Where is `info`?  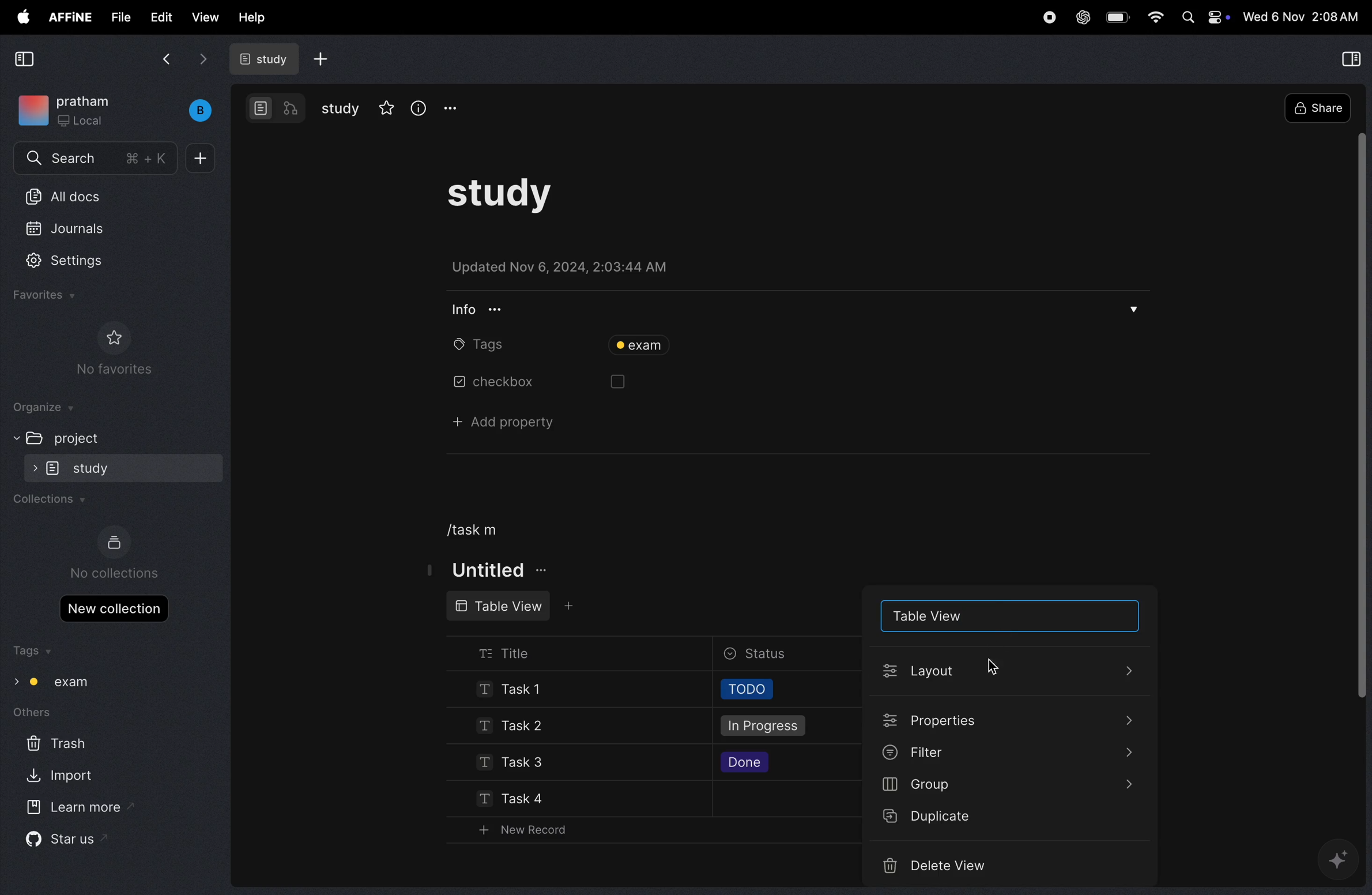 info is located at coordinates (418, 108).